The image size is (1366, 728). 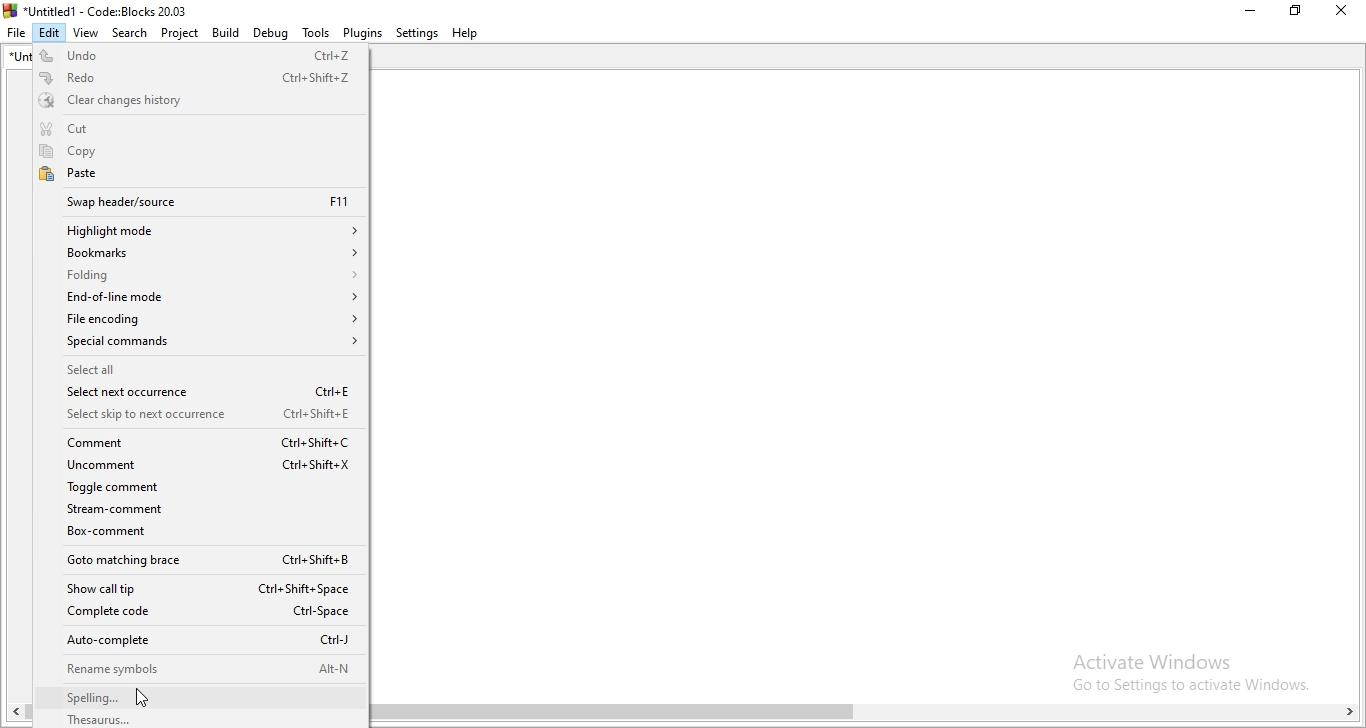 I want to click on tools, so click(x=316, y=33).